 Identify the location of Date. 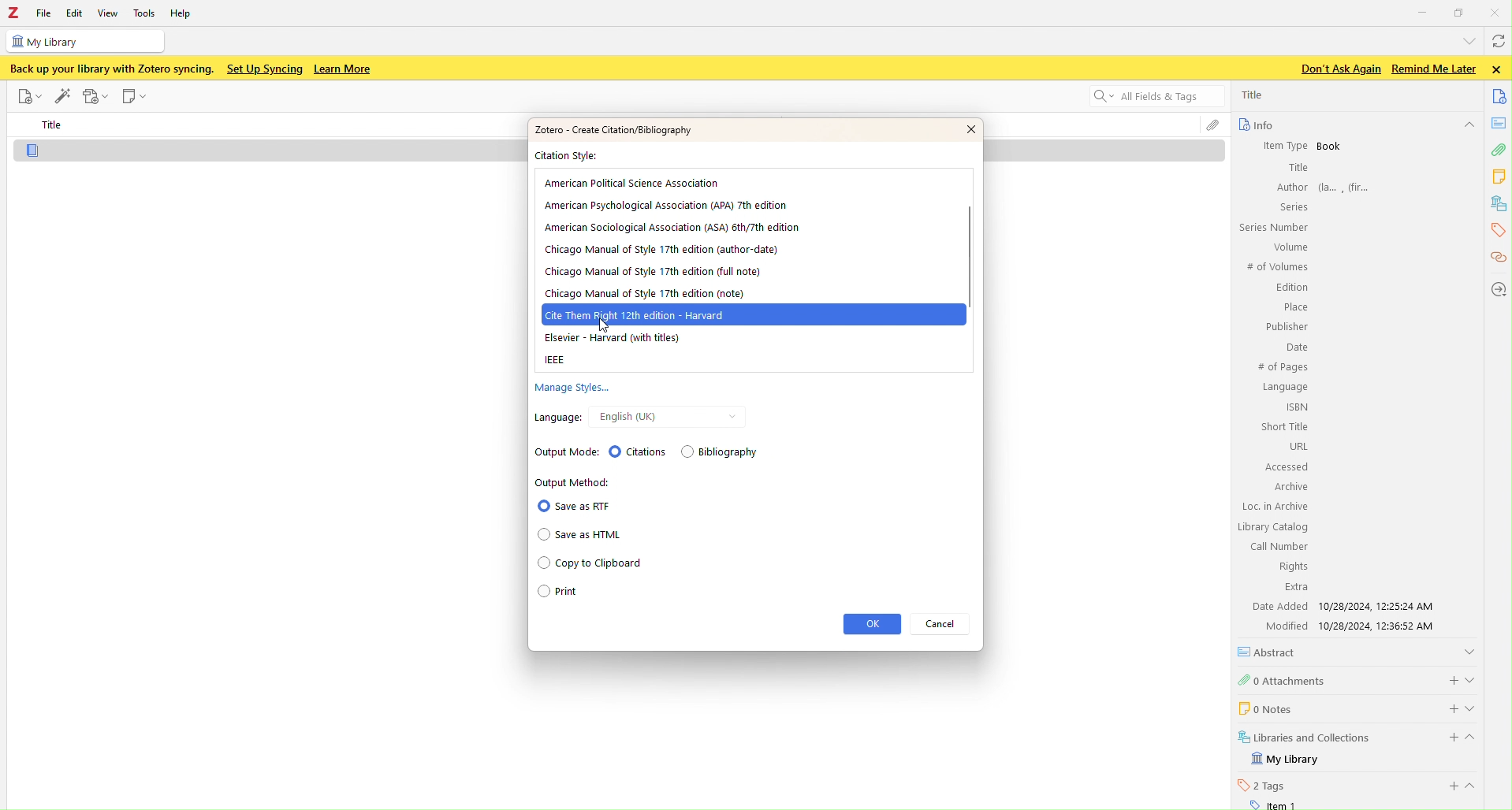
(1295, 348).